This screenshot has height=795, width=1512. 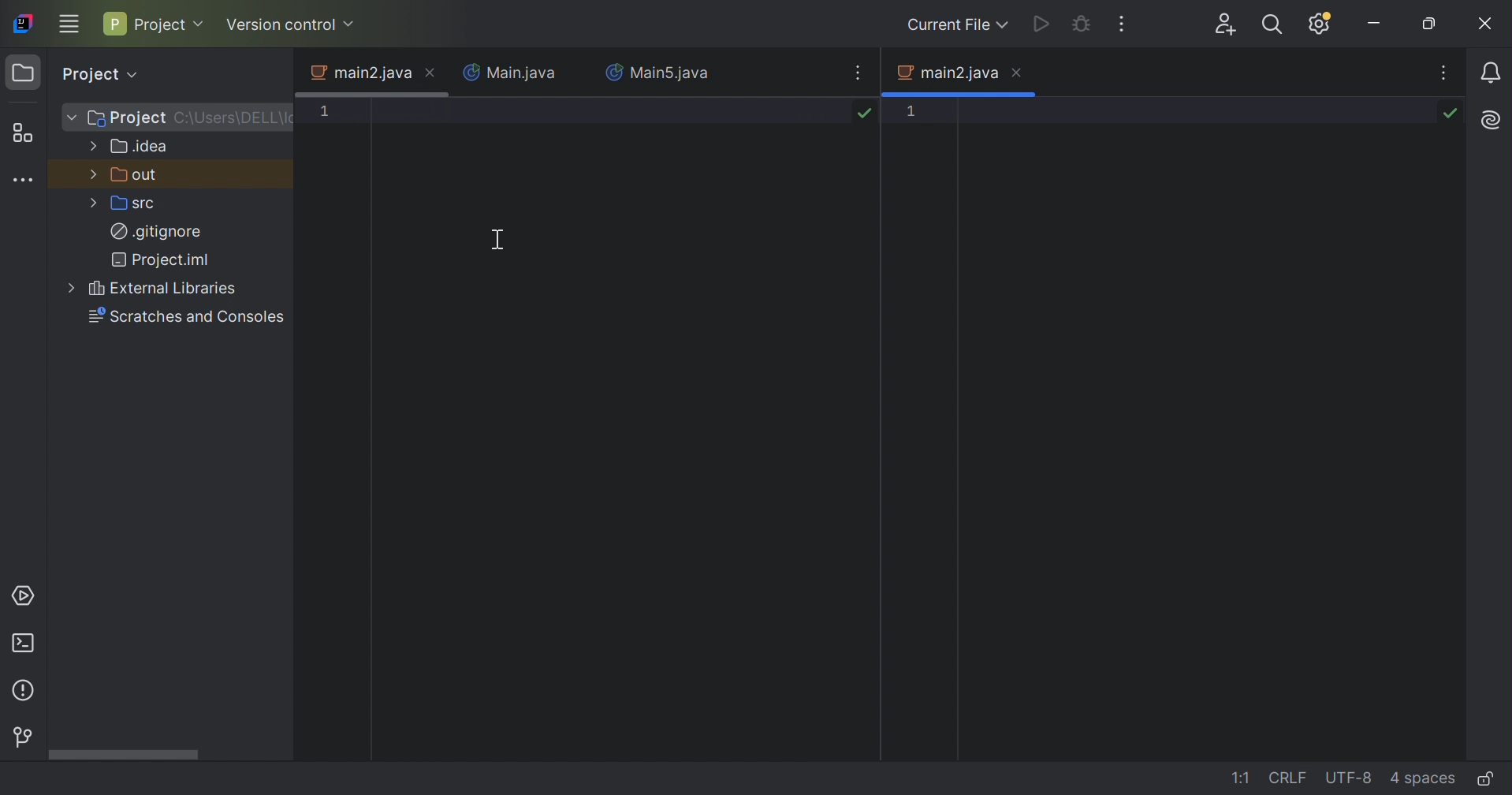 I want to click on More tool windows, so click(x=24, y=177).